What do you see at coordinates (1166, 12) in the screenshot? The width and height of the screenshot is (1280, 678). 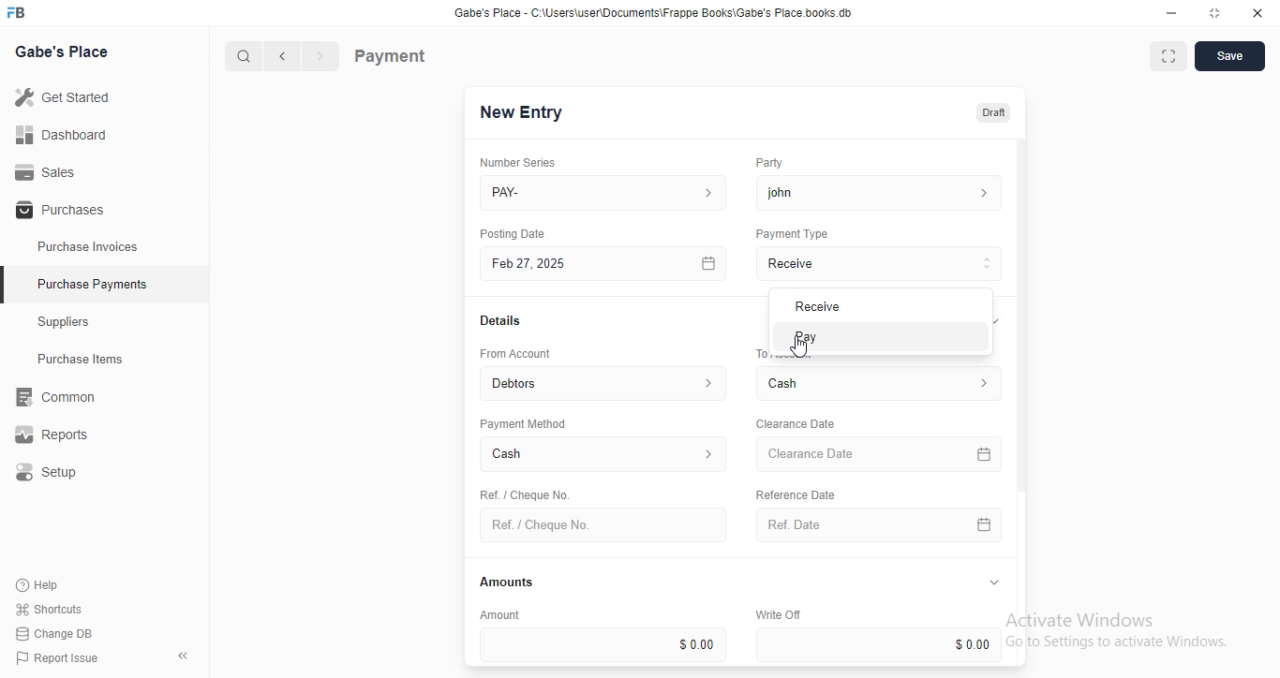 I see `minimize` at bounding box center [1166, 12].